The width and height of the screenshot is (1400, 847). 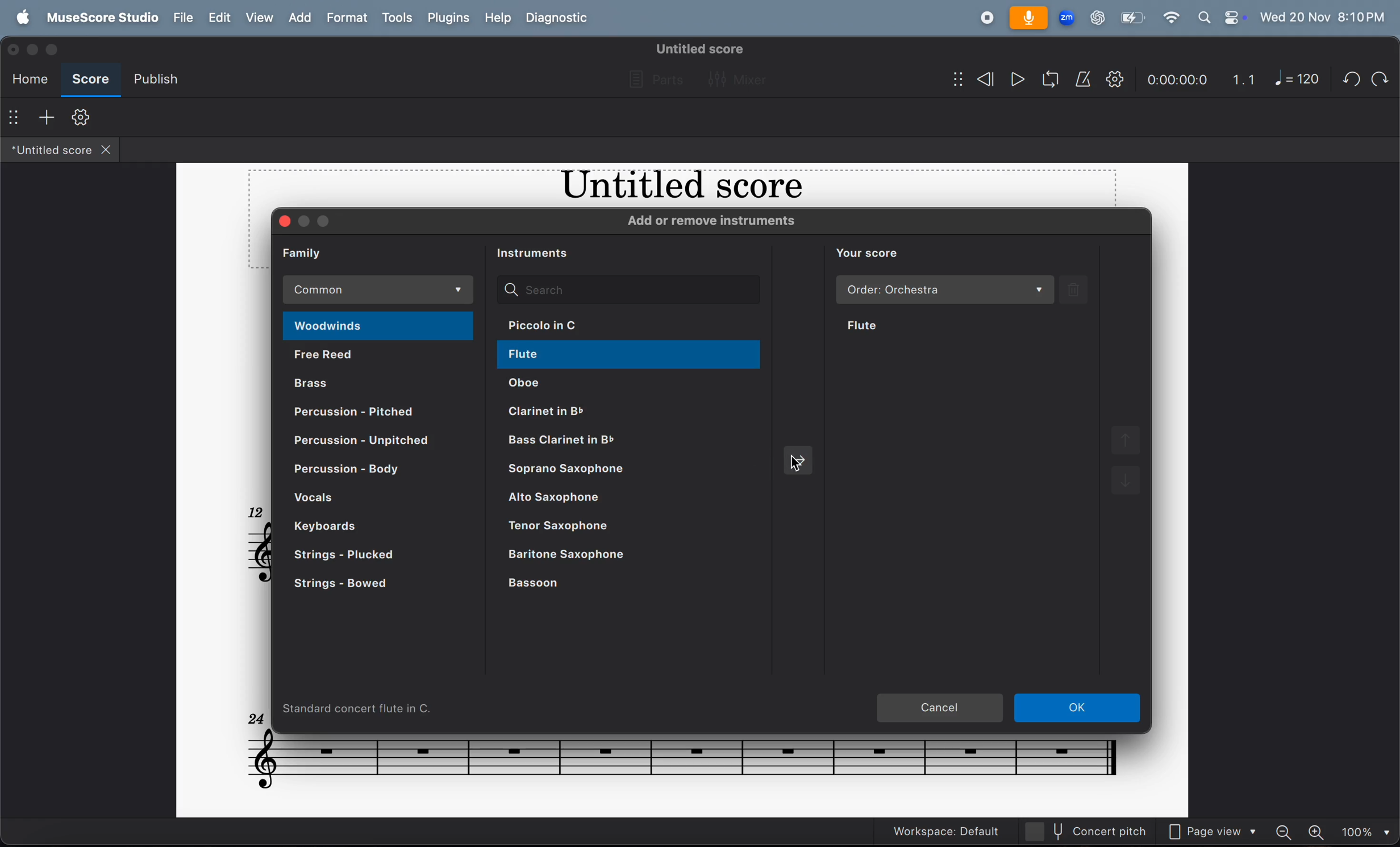 I want to click on maximize, so click(x=329, y=222).